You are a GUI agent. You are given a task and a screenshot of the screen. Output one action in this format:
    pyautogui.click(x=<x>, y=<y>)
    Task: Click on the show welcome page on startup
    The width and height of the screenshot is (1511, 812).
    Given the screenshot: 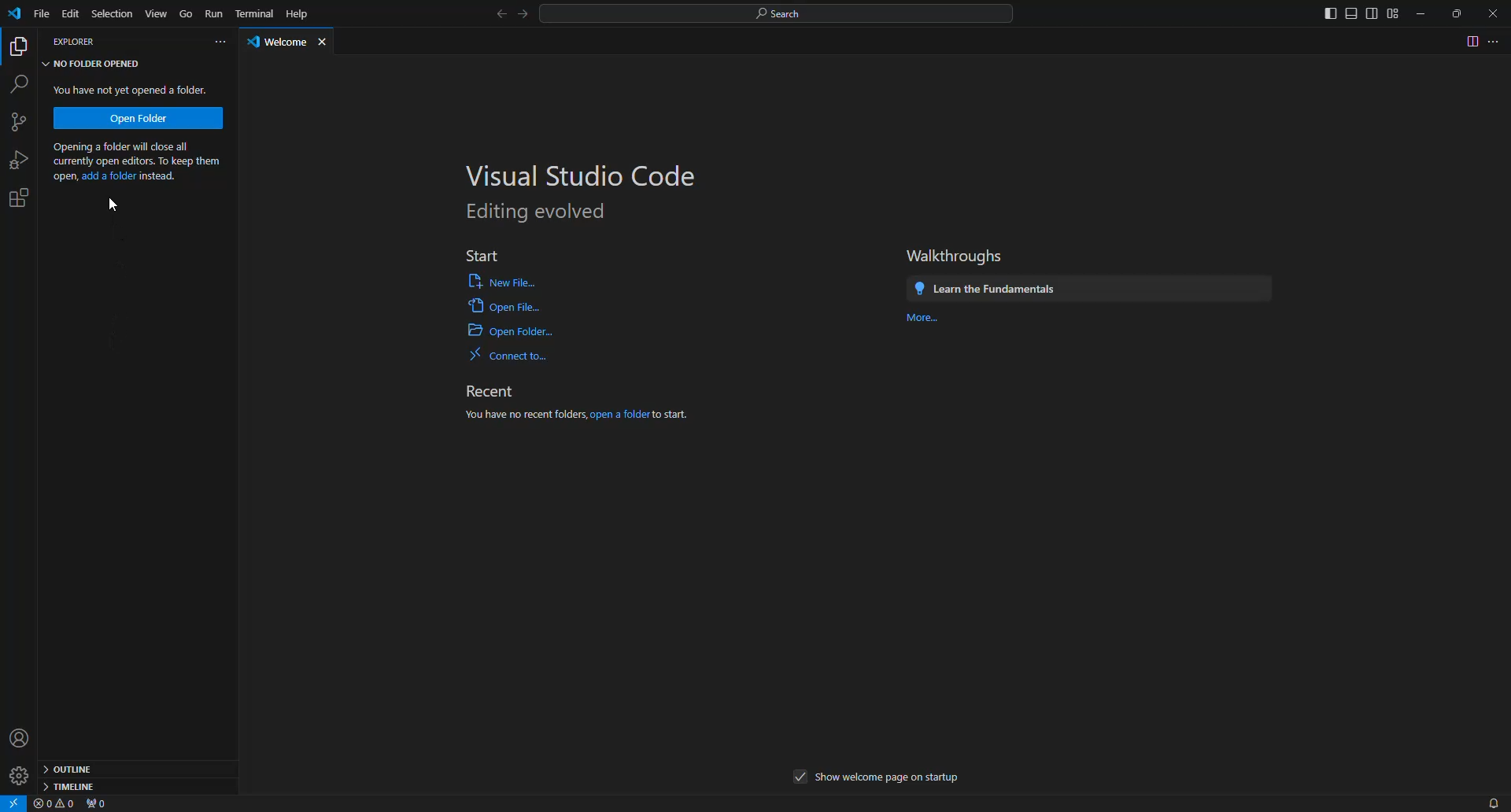 What is the action you would take?
    pyautogui.click(x=889, y=779)
    